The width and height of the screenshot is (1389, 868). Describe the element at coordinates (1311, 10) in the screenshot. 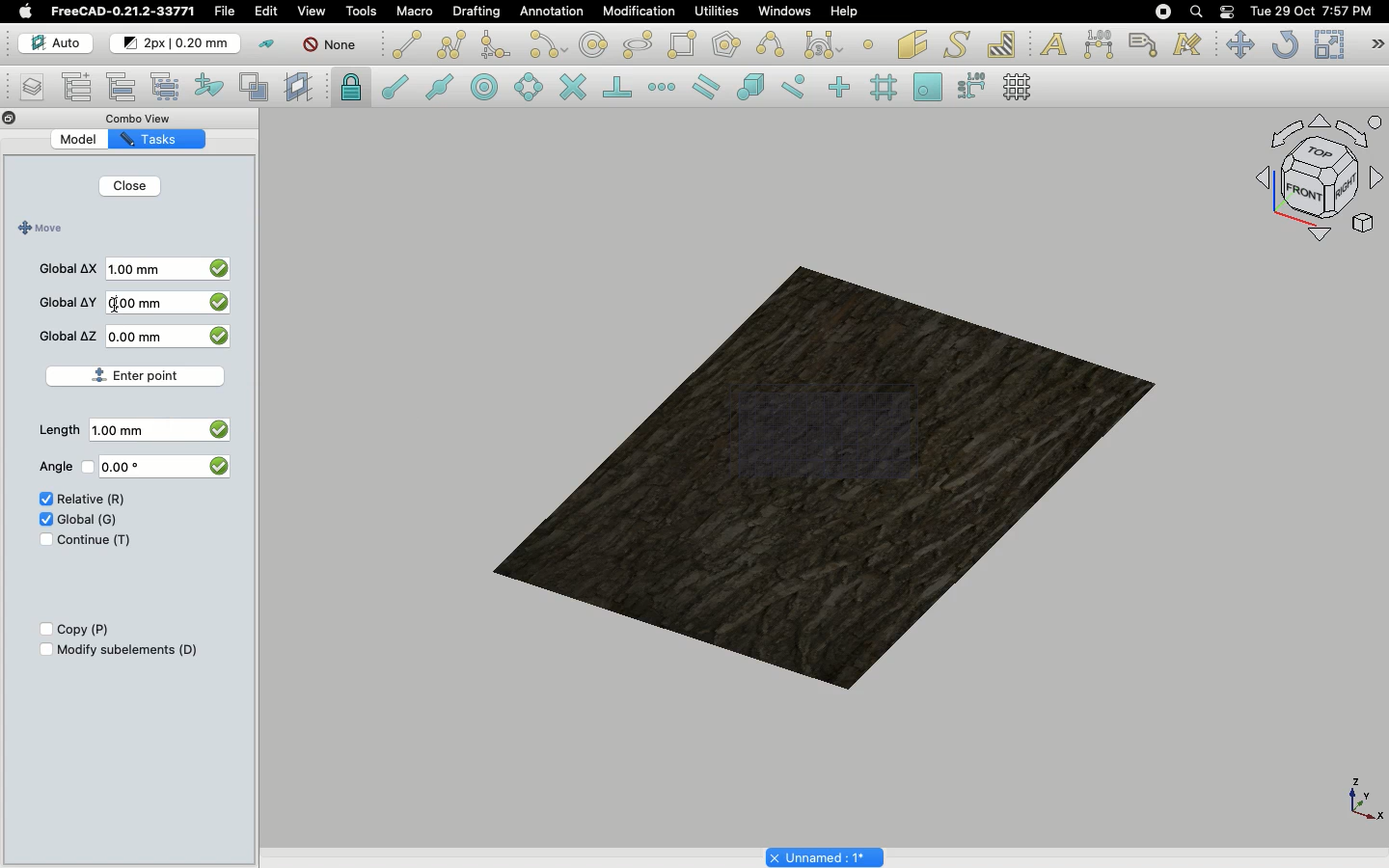

I see `Date/time` at that location.